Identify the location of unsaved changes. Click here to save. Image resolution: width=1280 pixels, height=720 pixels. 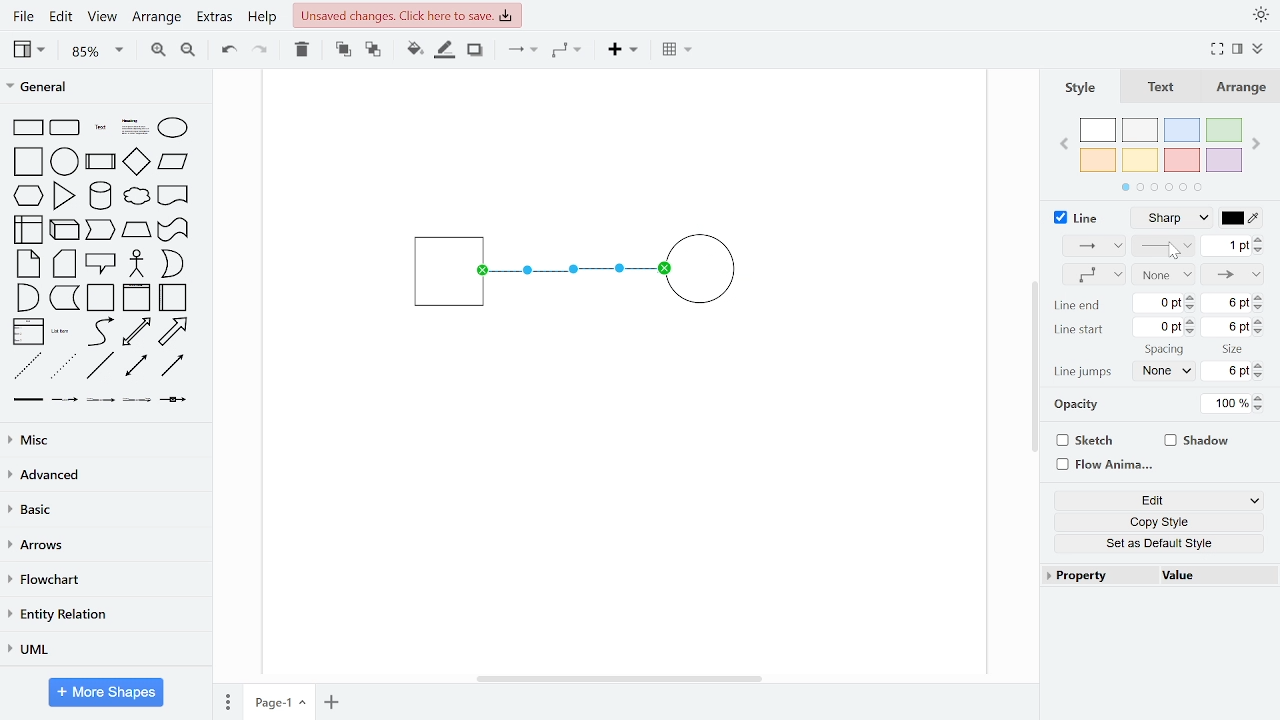
(408, 14).